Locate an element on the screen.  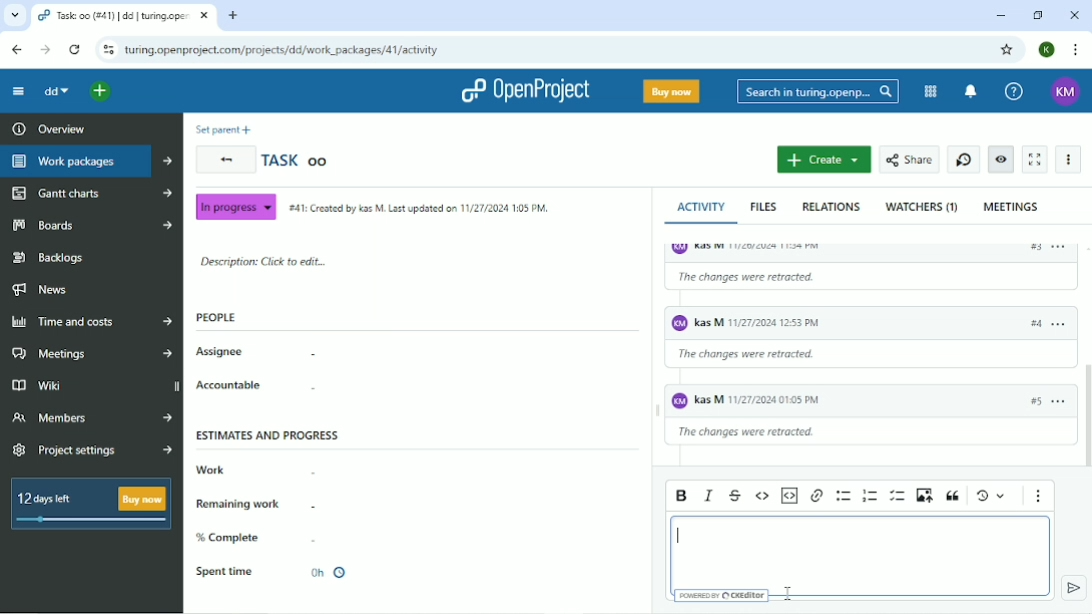
Bulleted list is located at coordinates (842, 495).